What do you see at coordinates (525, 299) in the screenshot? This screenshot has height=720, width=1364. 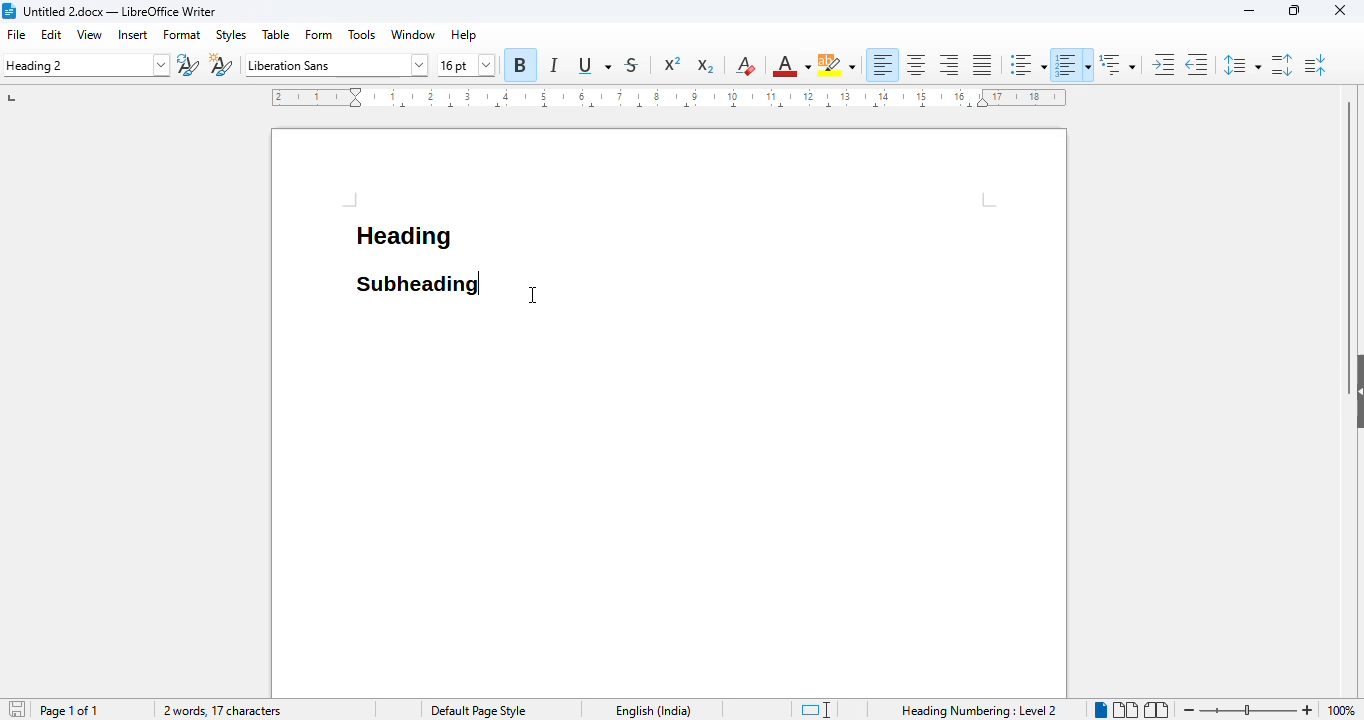 I see `tect cursor` at bounding box center [525, 299].